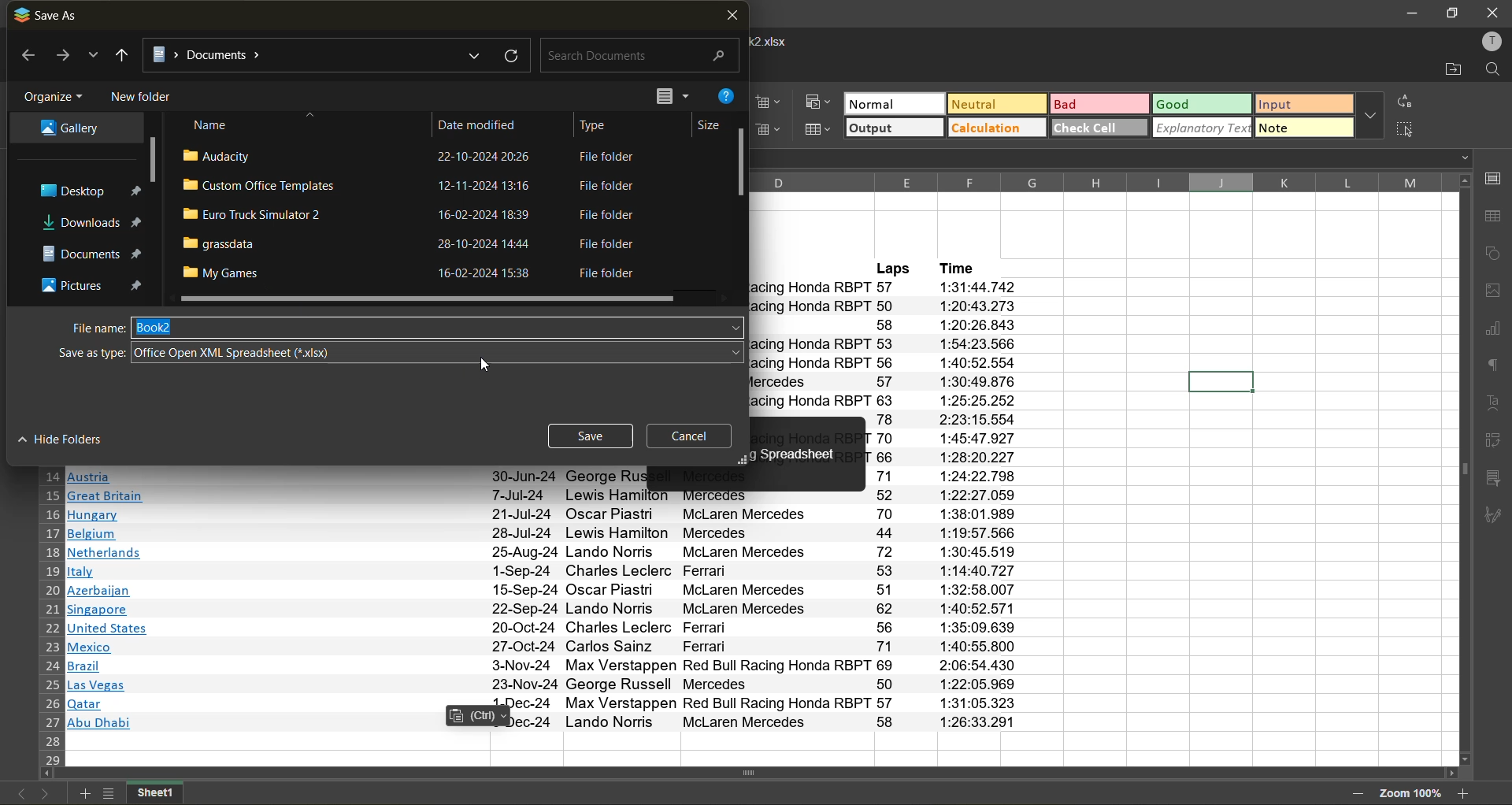 The width and height of the screenshot is (1512, 805). Describe the element at coordinates (1116, 160) in the screenshot. I see `formula bar` at that location.